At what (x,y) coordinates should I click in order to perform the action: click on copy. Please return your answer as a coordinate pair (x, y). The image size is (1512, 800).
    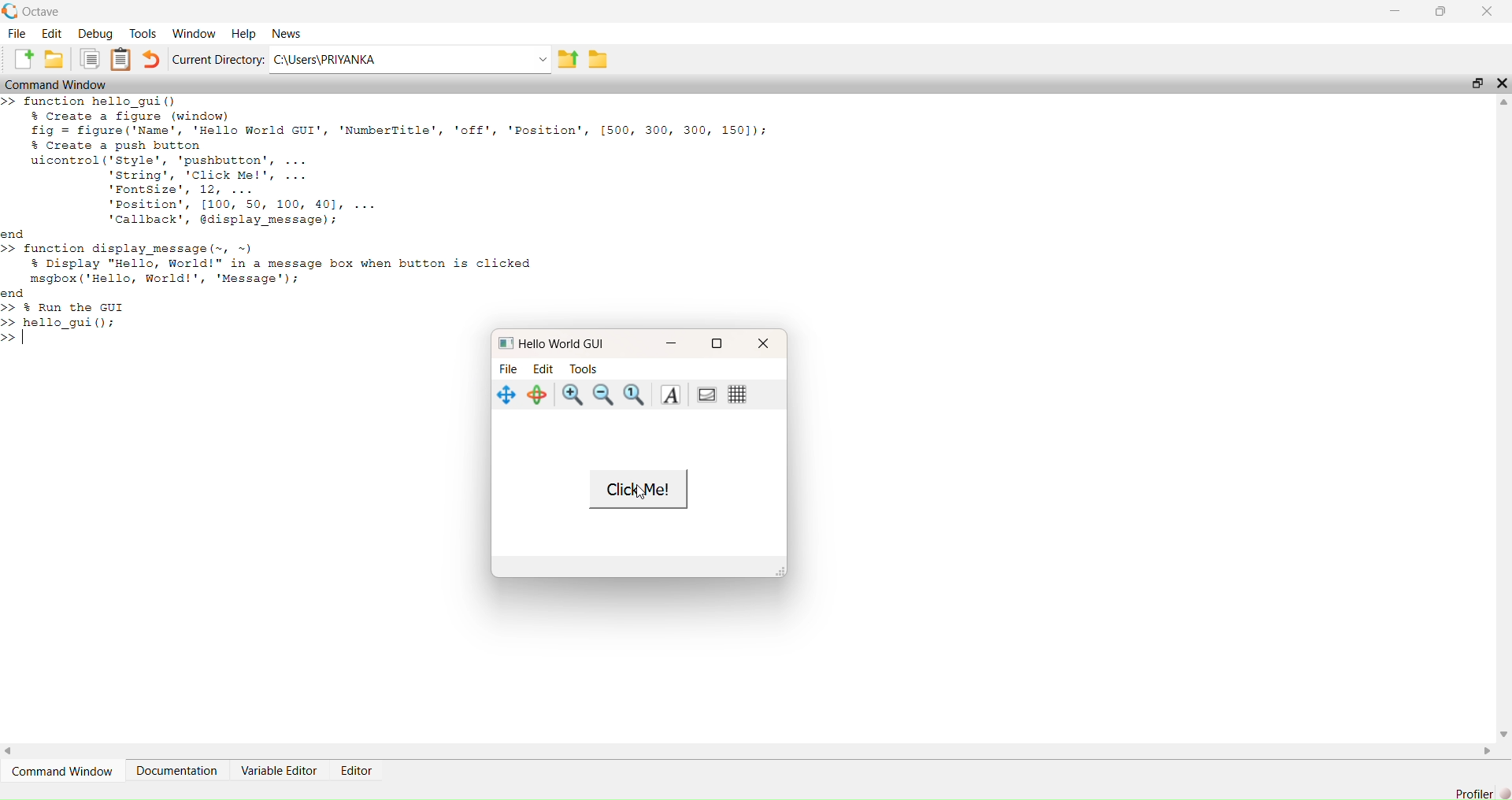
    Looking at the image, I should click on (91, 61).